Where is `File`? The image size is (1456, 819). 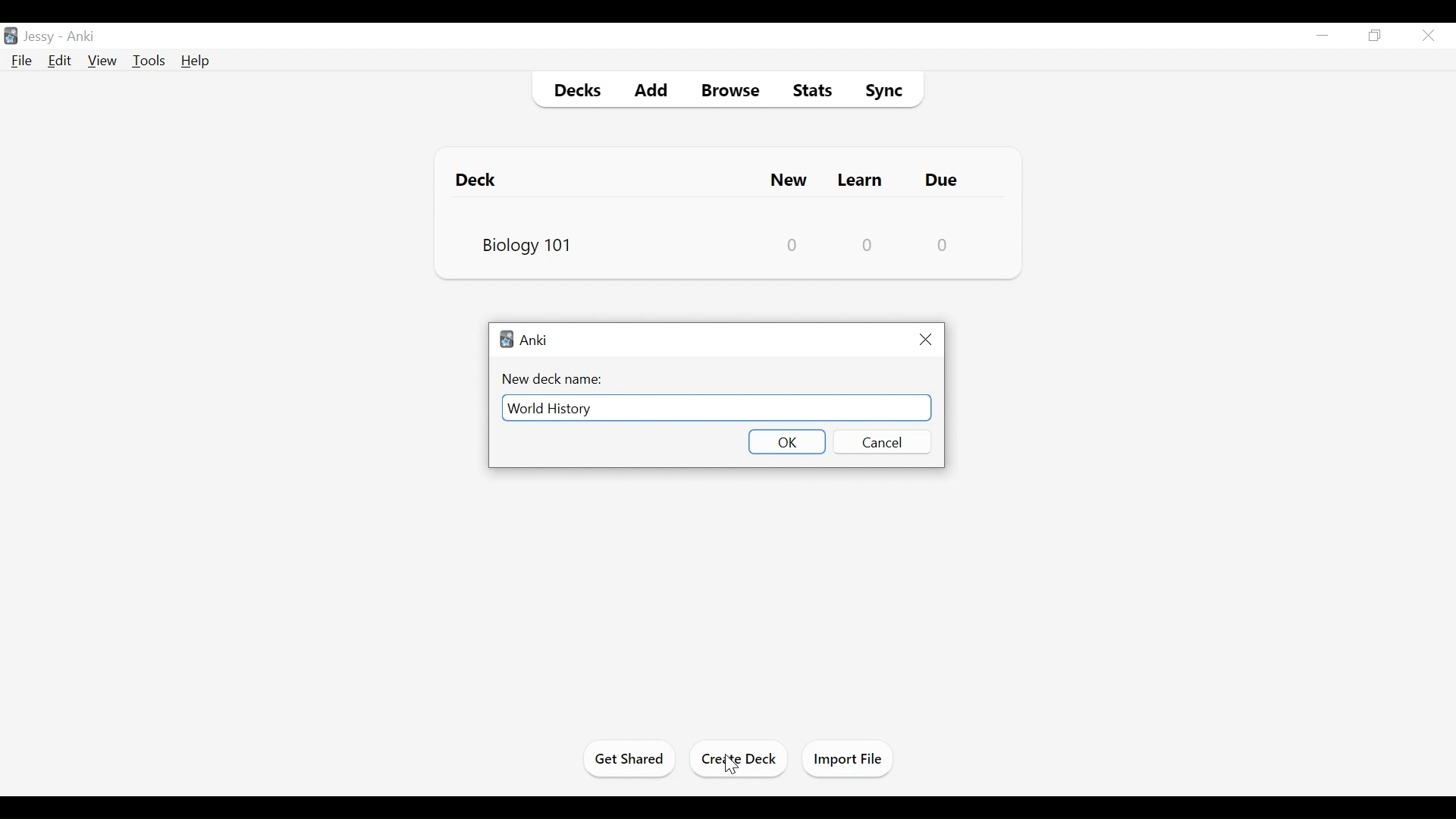
File is located at coordinates (24, 61).